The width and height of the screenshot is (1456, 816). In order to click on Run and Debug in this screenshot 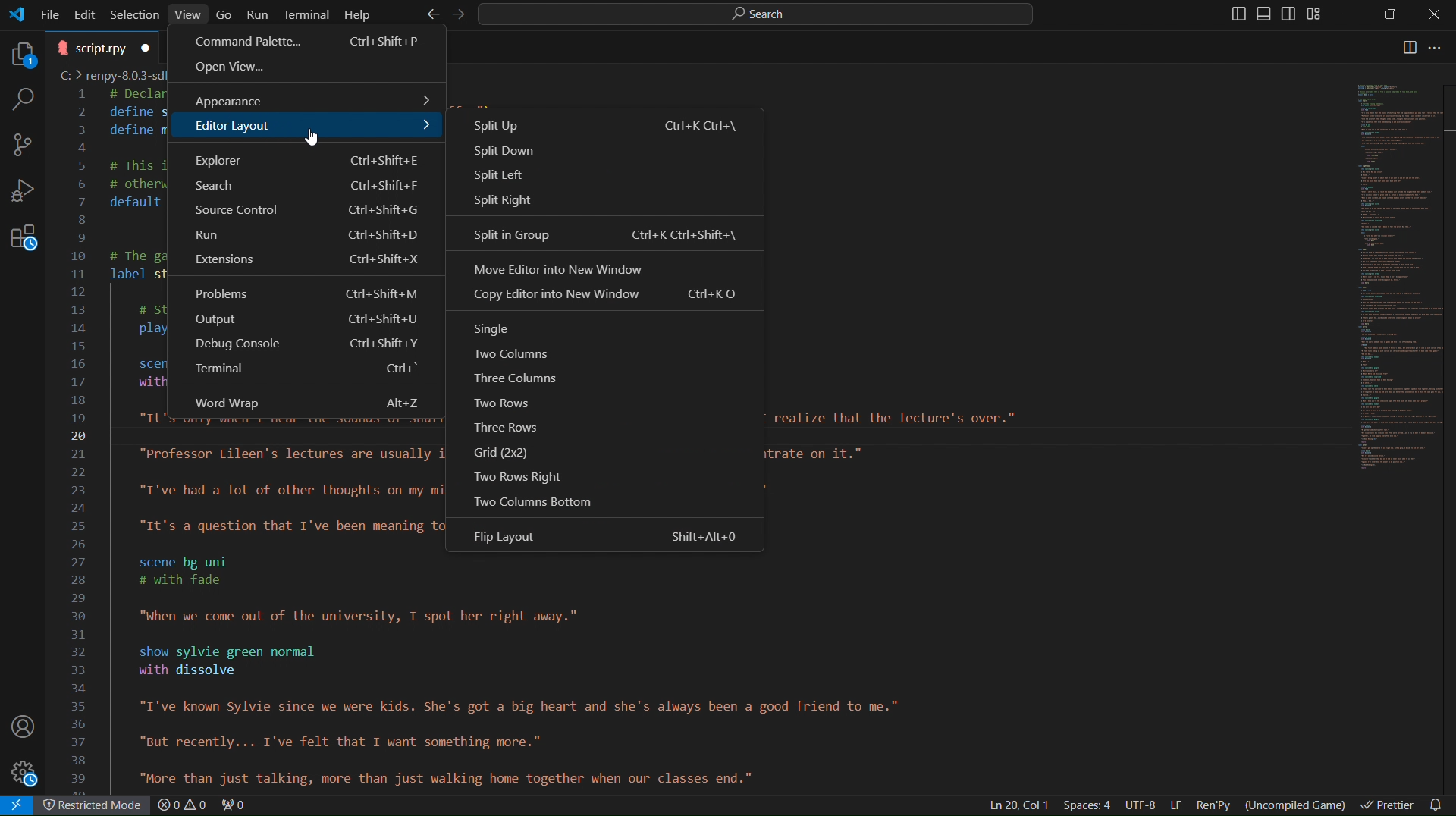, I will do `click(24, 195)`.